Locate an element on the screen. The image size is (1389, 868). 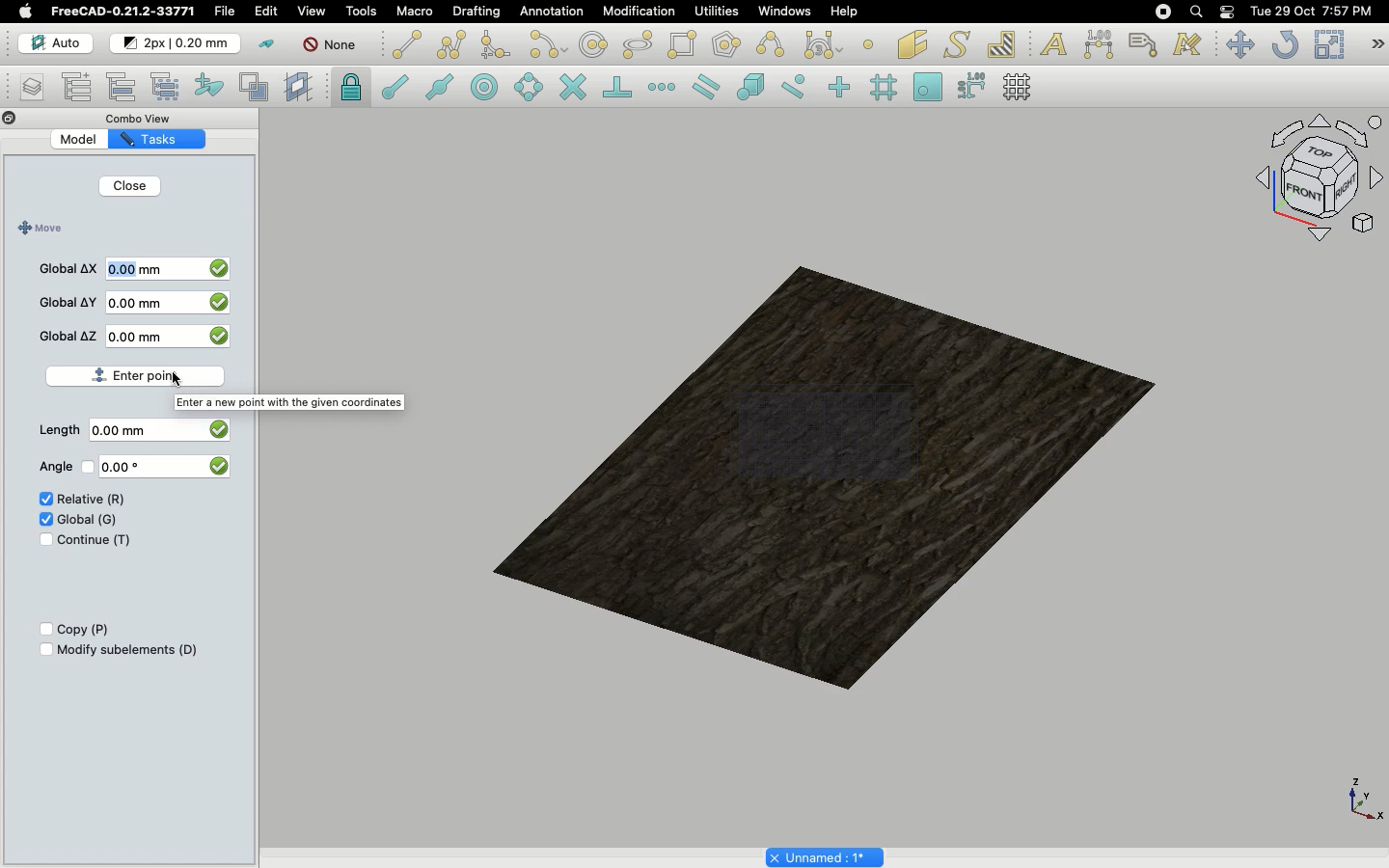
Arc tools is located at coordinates (547, 46).